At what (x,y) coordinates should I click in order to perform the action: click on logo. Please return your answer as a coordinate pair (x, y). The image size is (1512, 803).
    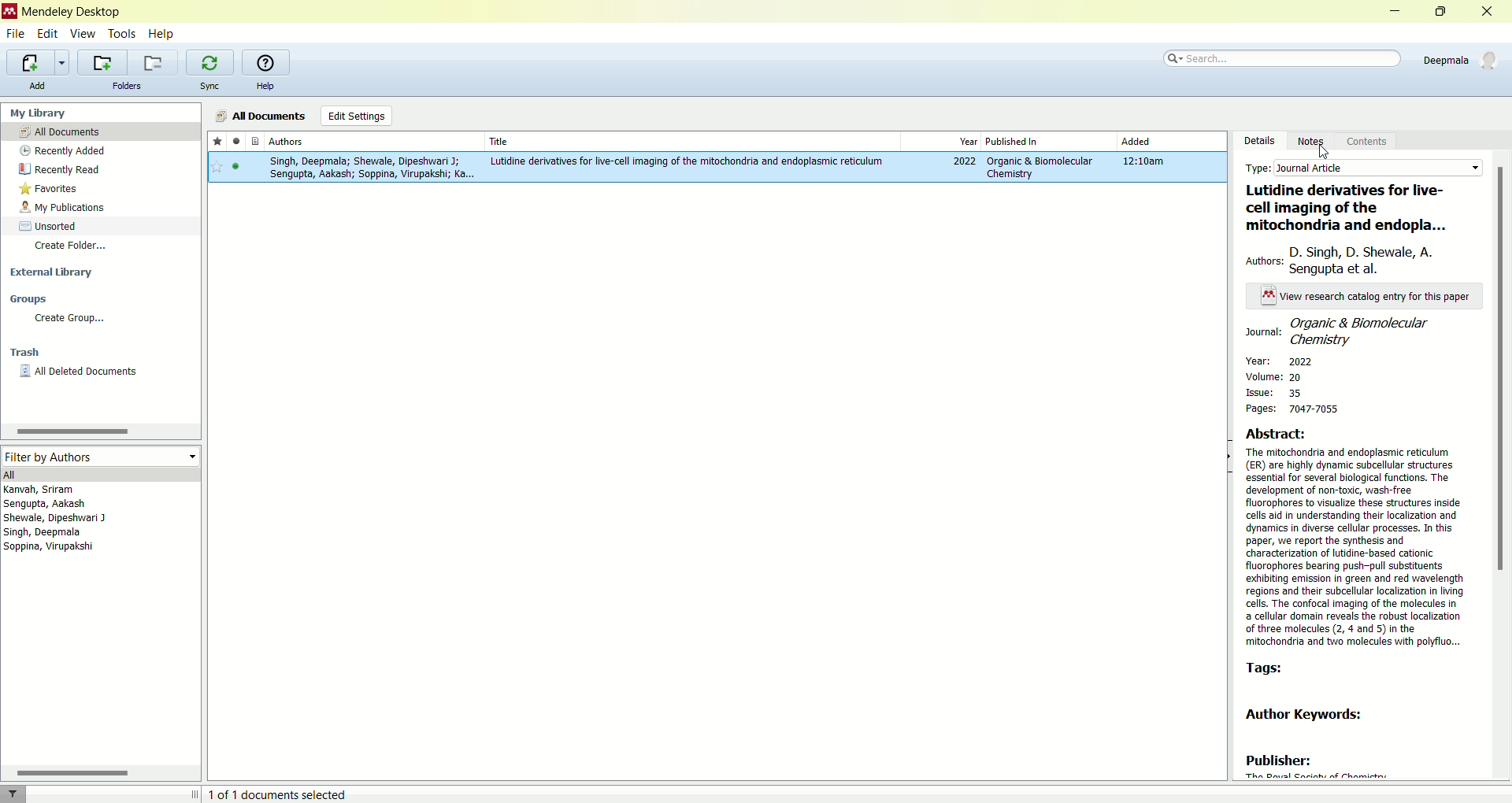
    Looking at the image, I should click on (9, 12).